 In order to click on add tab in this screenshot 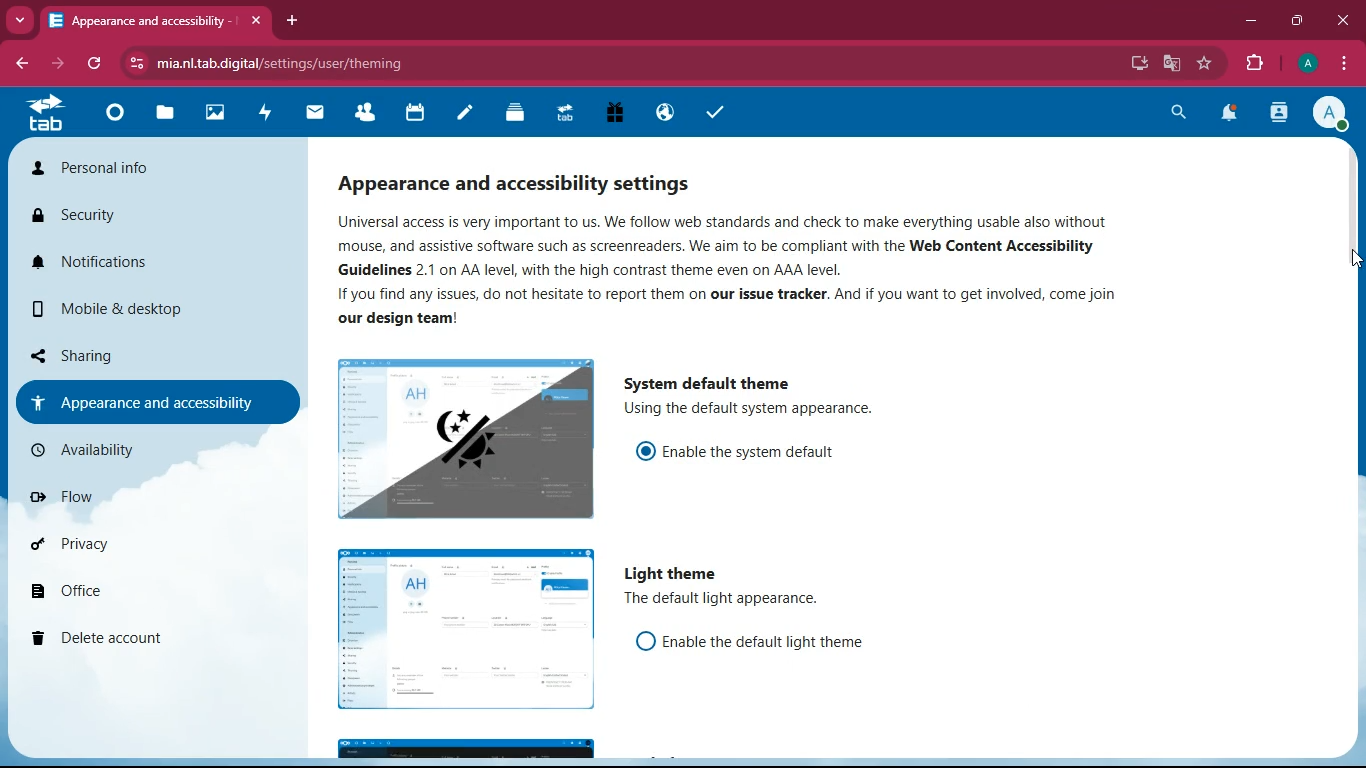, I will do `click(295, 20)`.